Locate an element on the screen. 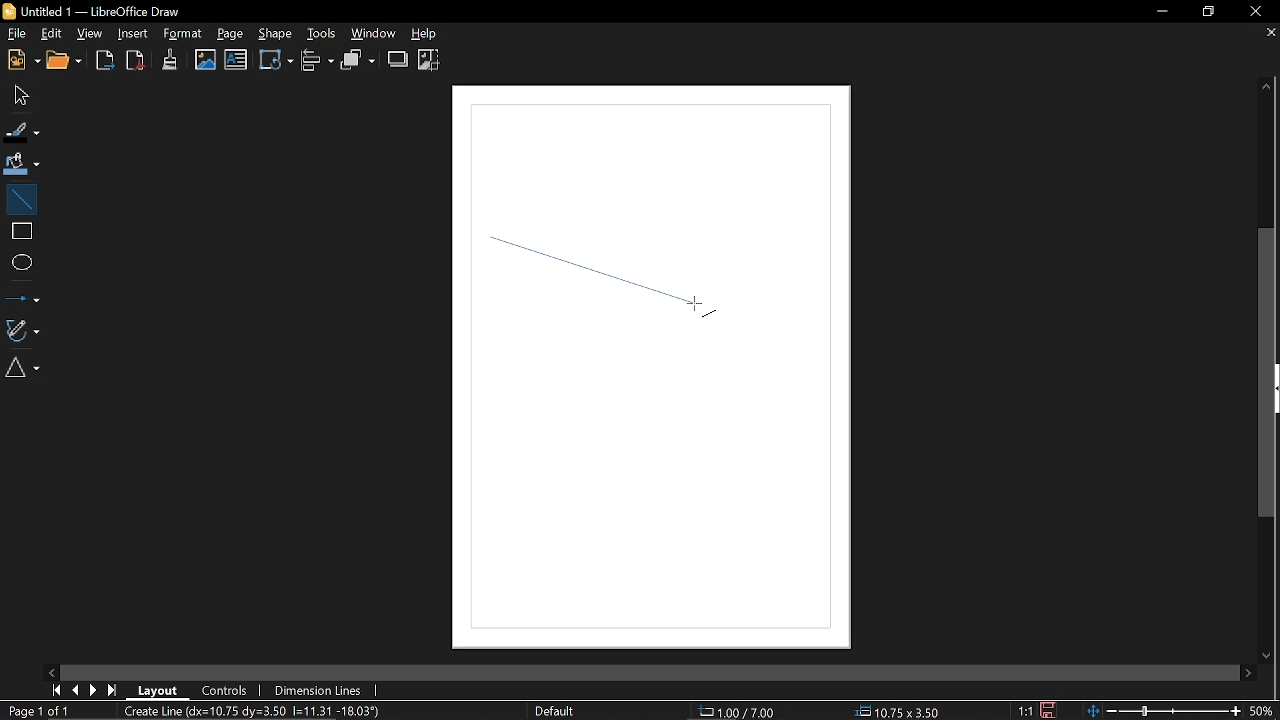 This screenshot has width=1280, height=720. View is located at coordinates (93, 33).